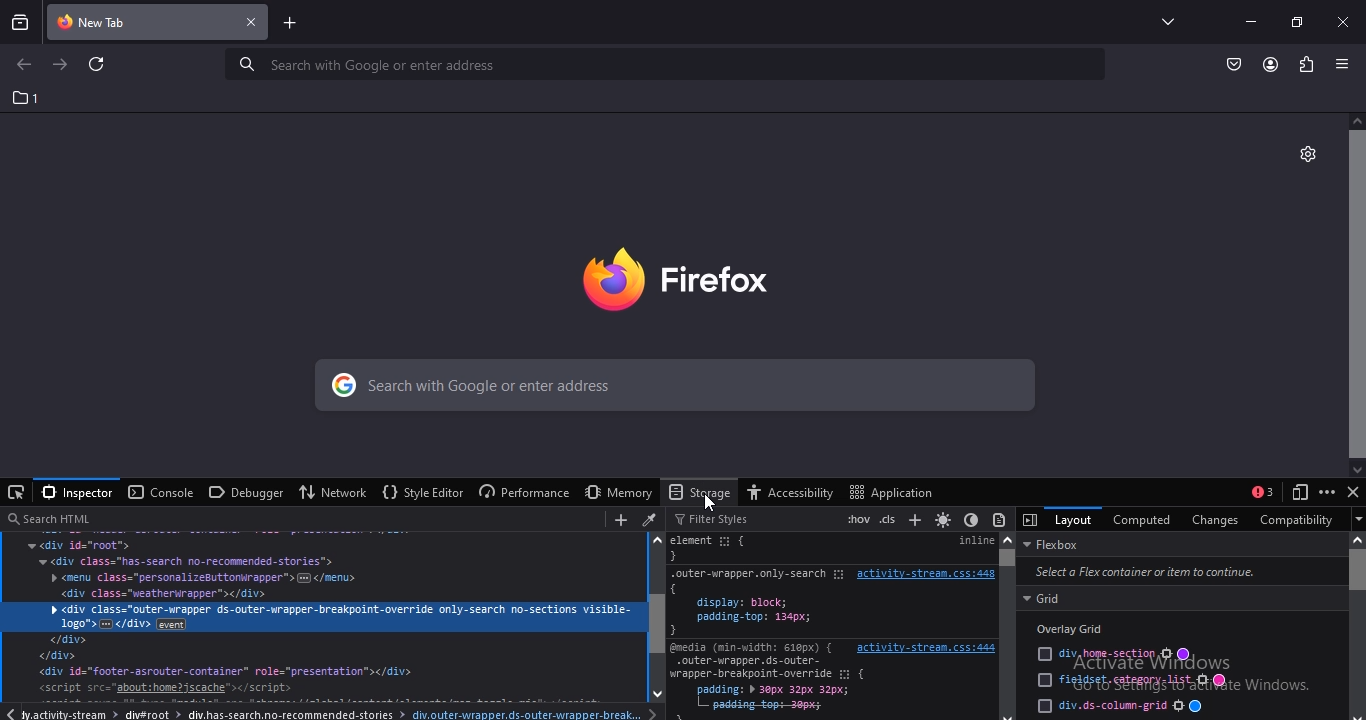  What do you see at coordinates (1031, 519) in the screenshot?
I see `toggle off the 3-pane inspector` at bounding box center [1031, 519].